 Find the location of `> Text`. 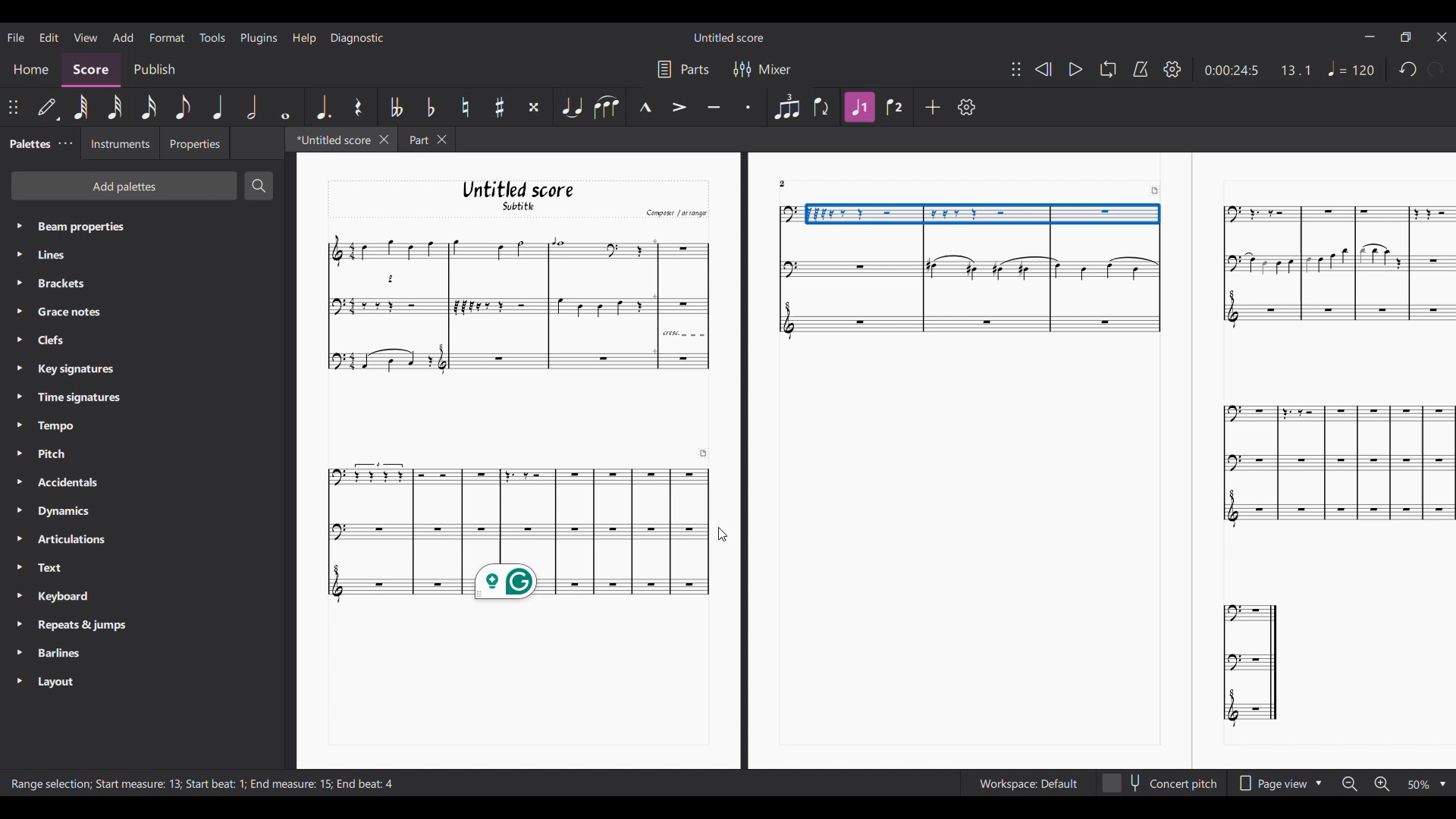

> Text is located at coordinates (49, 572).